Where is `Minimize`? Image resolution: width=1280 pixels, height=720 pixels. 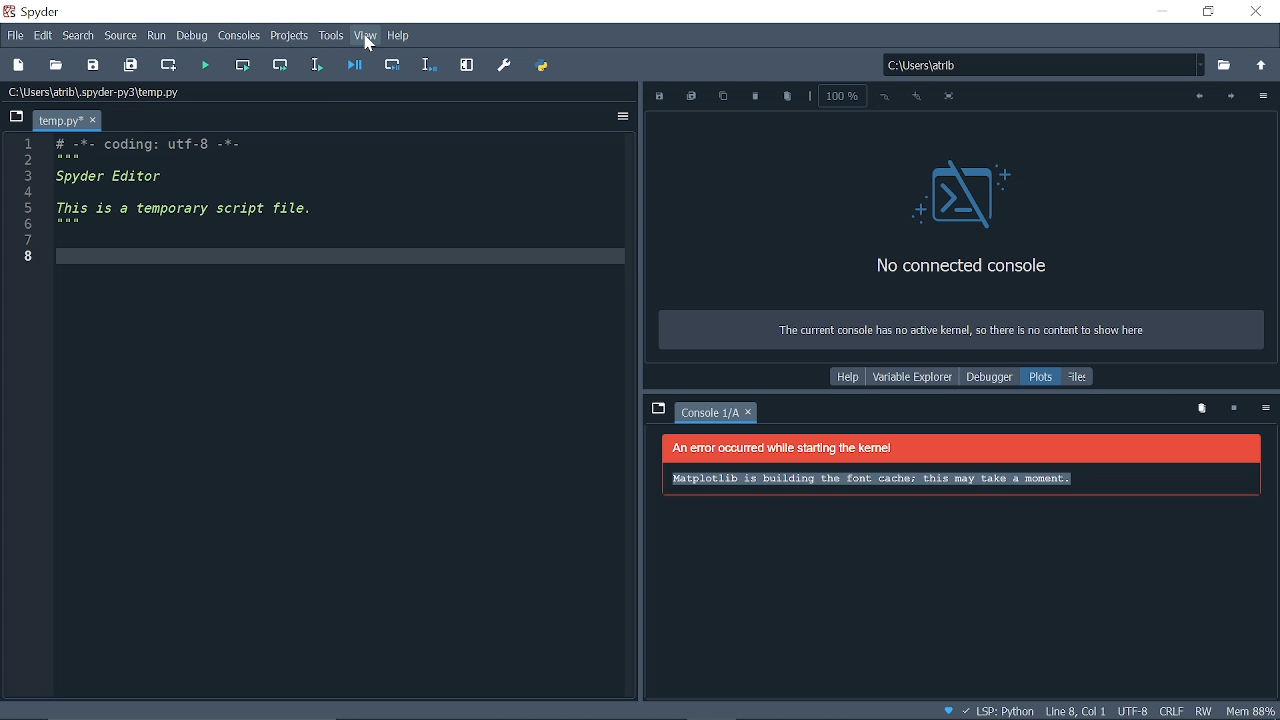
Minimize is located at coordinates (1161, 12).